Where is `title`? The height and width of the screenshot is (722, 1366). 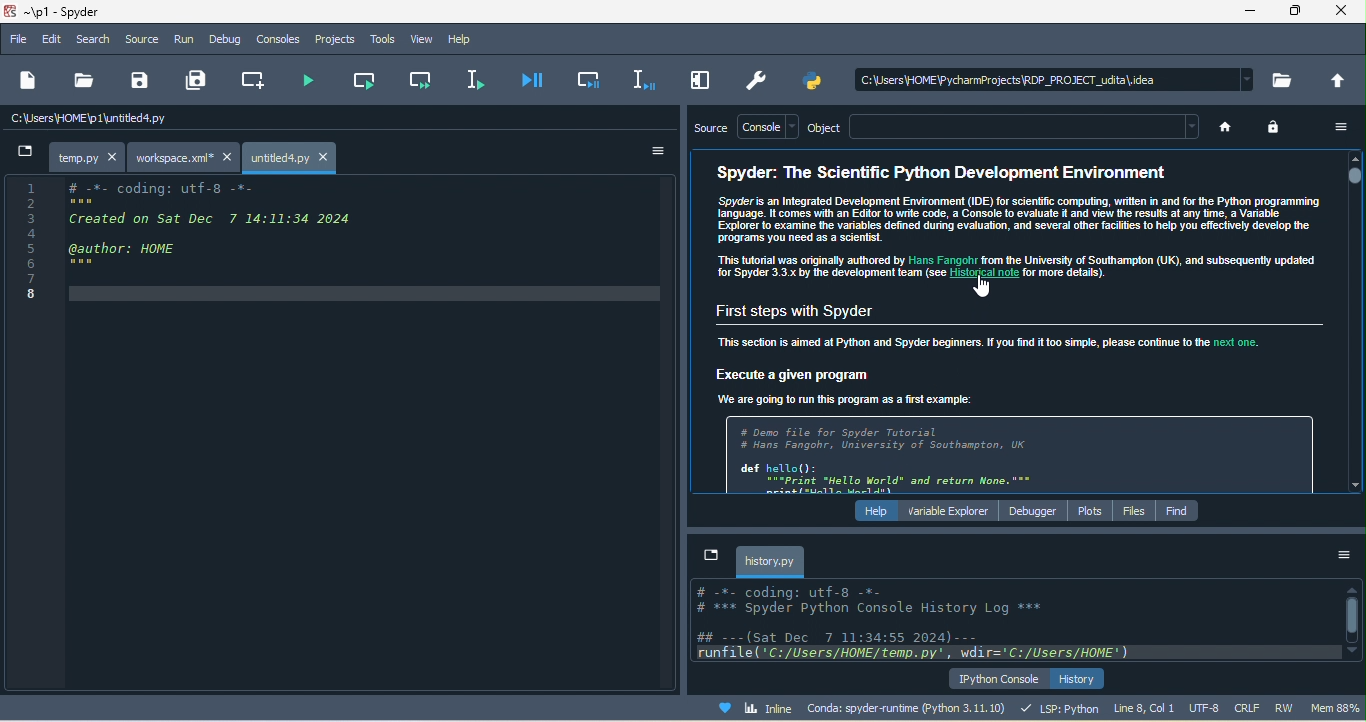
title is located at coordinates (73, 12).